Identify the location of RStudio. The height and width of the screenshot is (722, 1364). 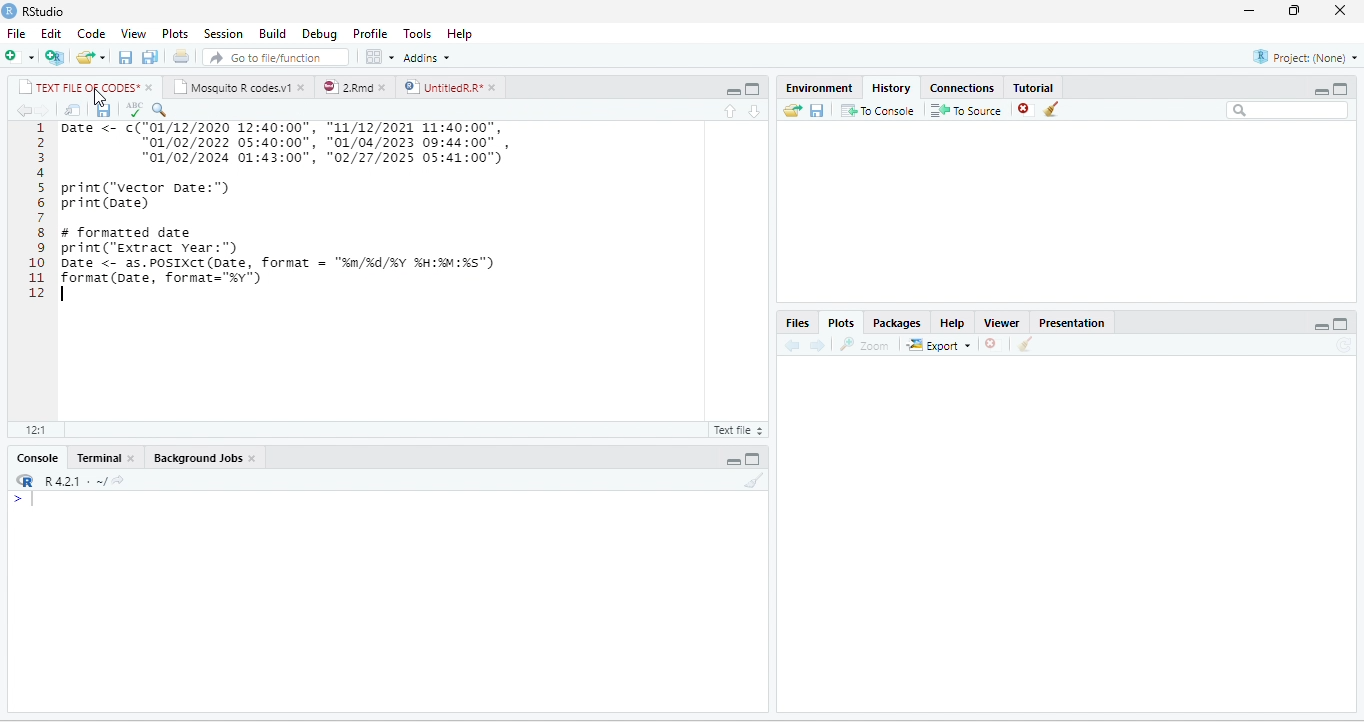
(46, 12).